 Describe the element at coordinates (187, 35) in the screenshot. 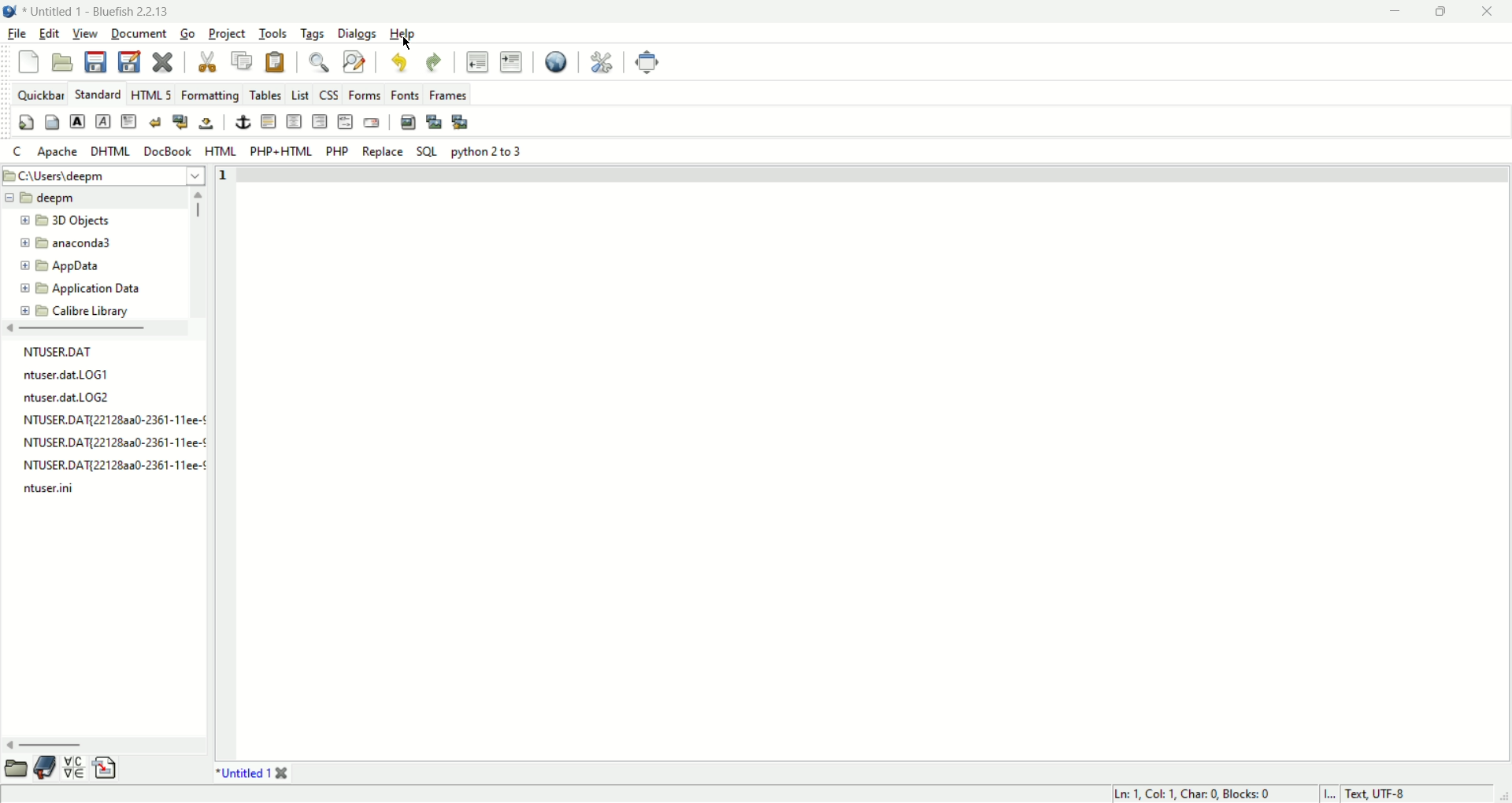

I see `go` at that location.